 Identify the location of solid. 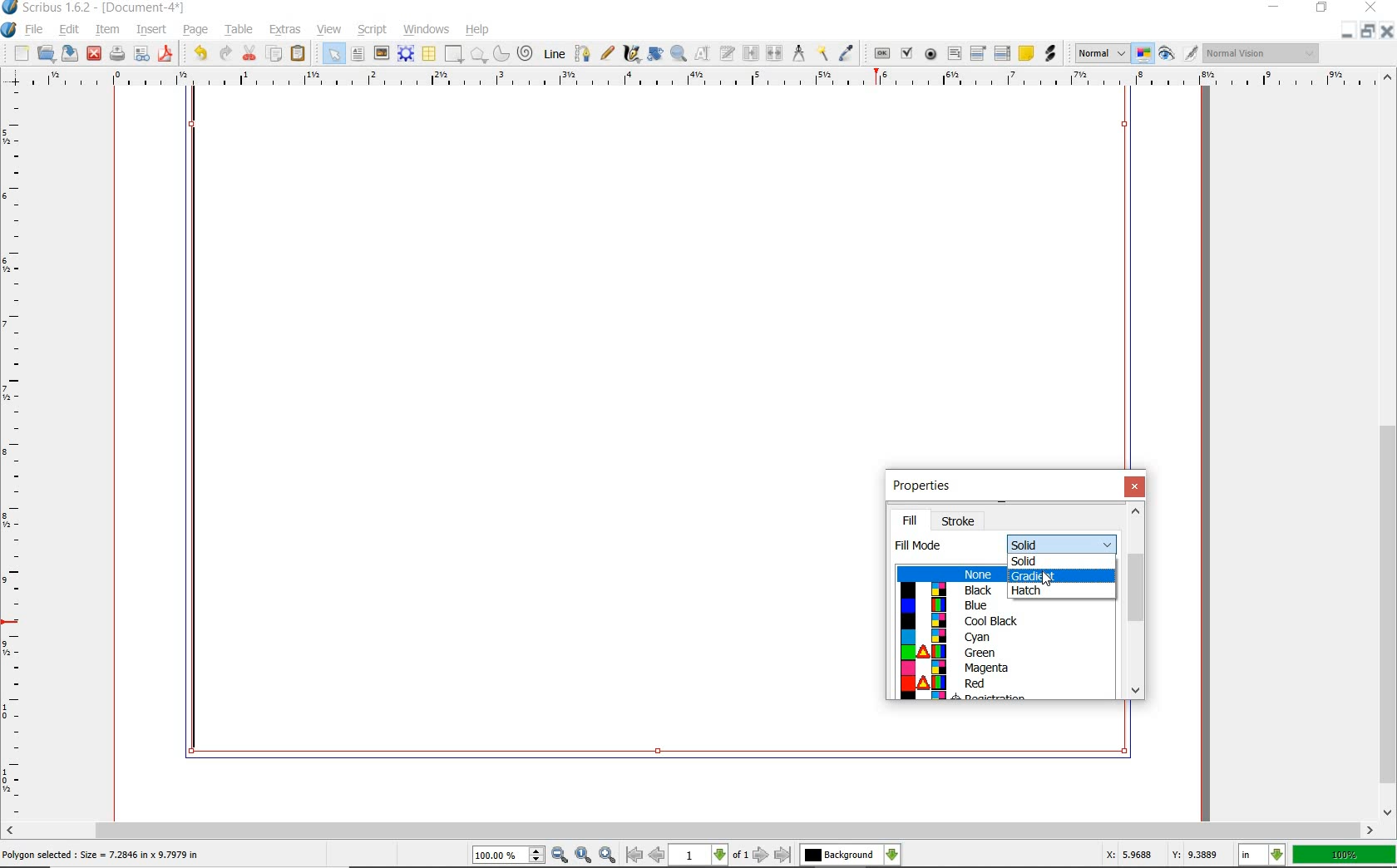
(1060, 560).